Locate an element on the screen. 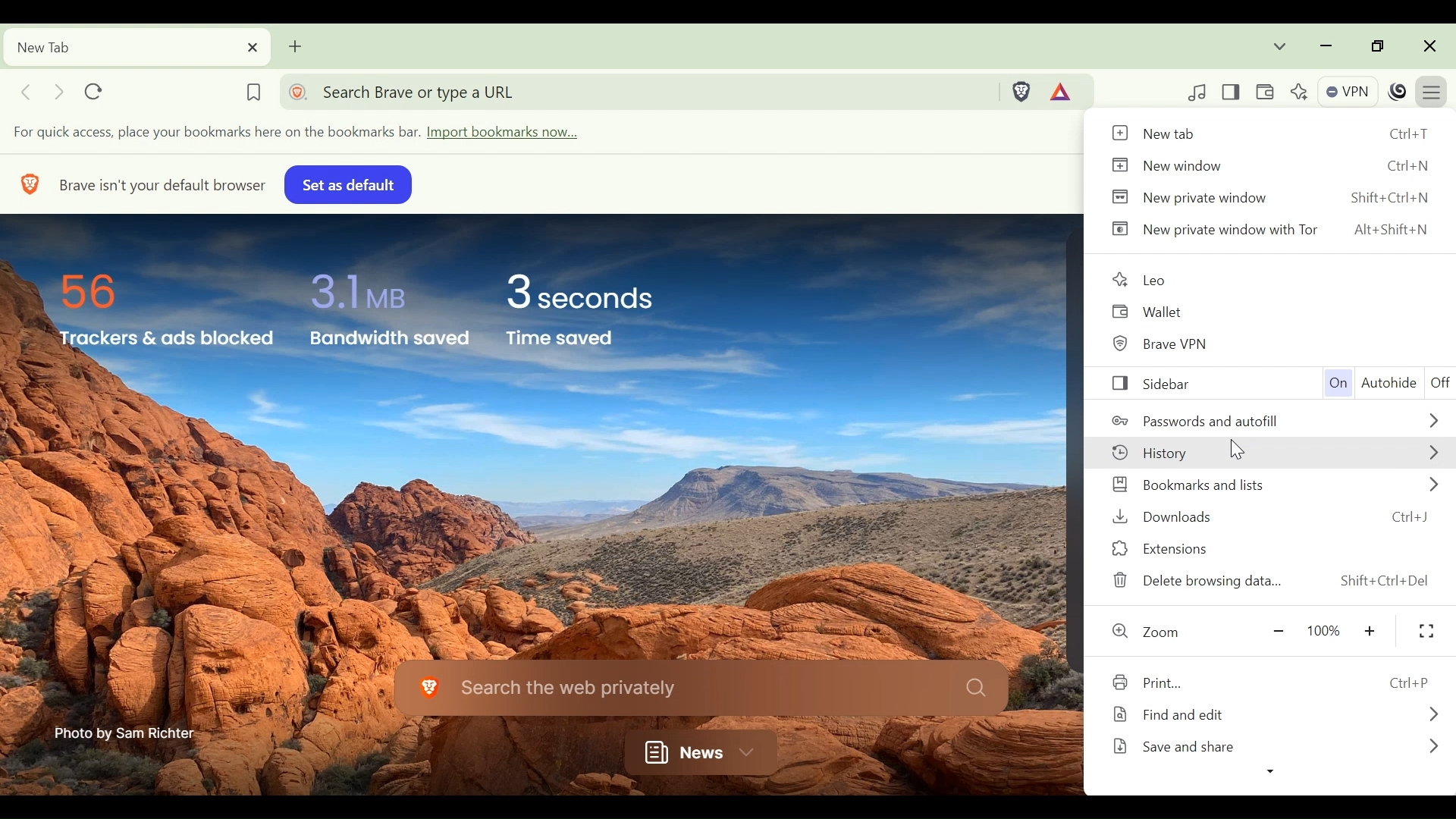 This screenshot has height=819, width=1456. Passwords and autofill is located at coordinates (1279, 421).